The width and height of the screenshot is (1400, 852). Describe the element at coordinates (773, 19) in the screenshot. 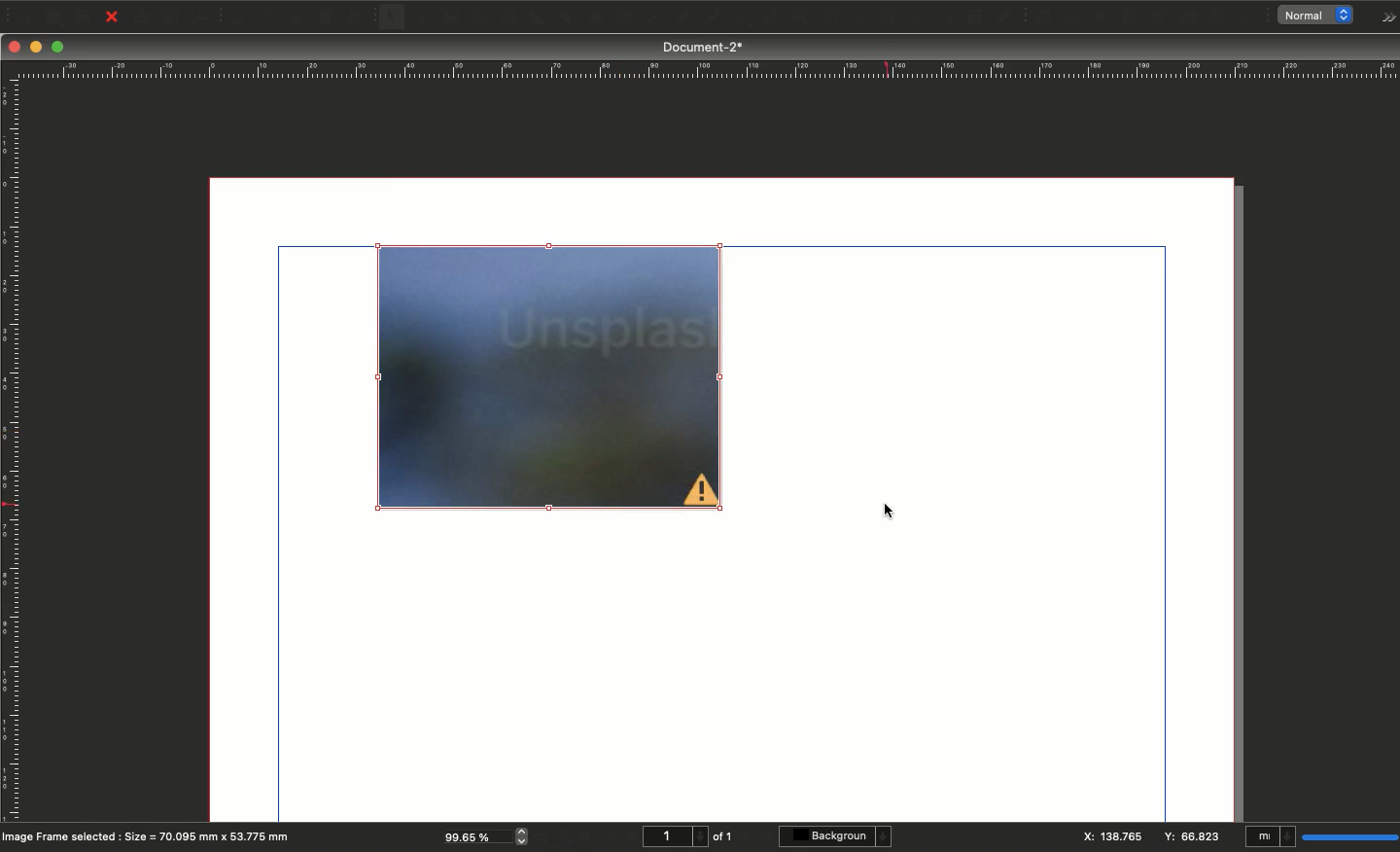

I see `Zoom in or out` at that location.